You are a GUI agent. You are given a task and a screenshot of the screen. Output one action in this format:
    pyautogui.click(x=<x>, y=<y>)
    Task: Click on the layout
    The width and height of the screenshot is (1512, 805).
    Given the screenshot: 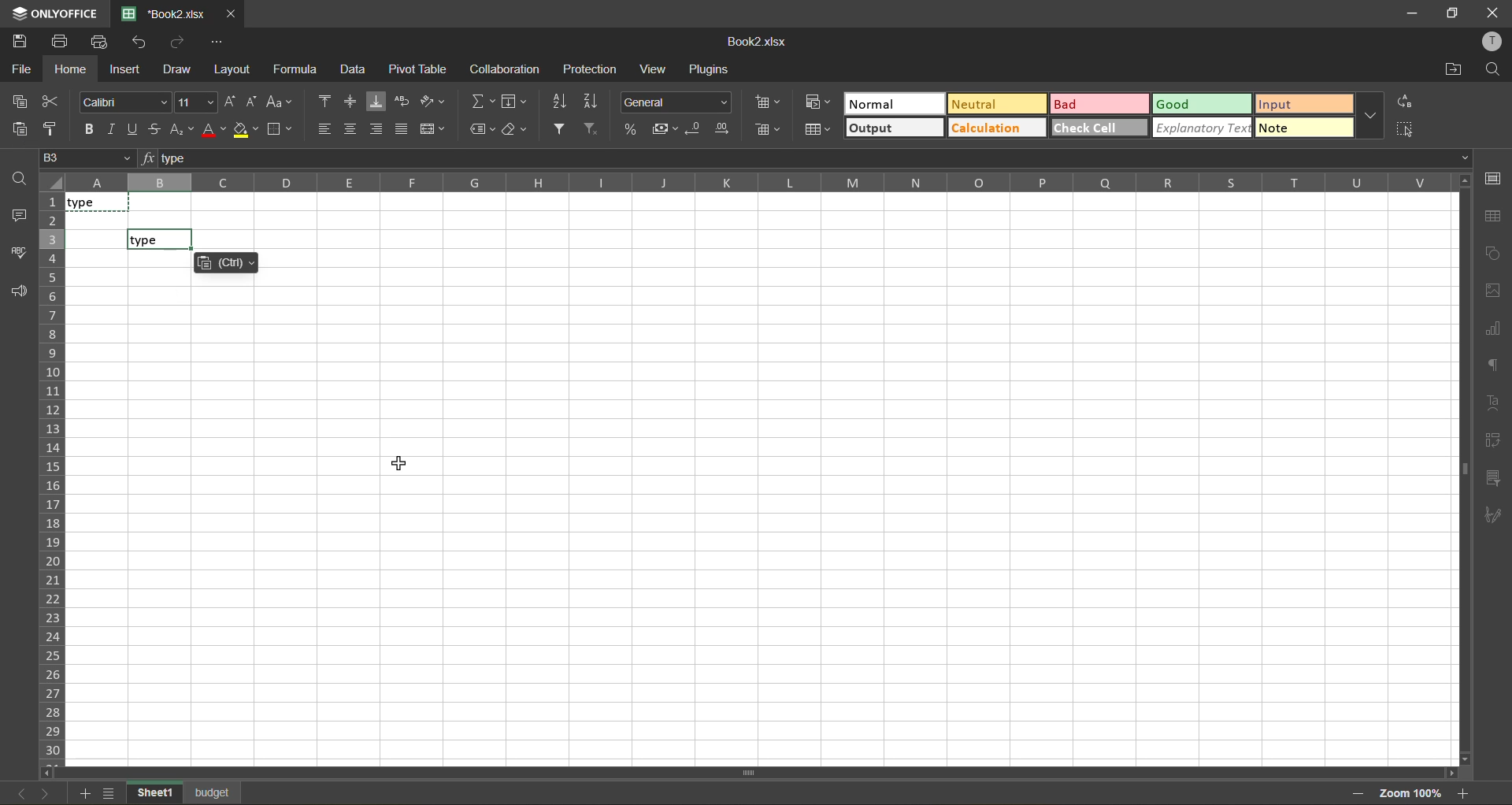 What is the action you would take?
    pyautogui.click(x=230, y=71)
    